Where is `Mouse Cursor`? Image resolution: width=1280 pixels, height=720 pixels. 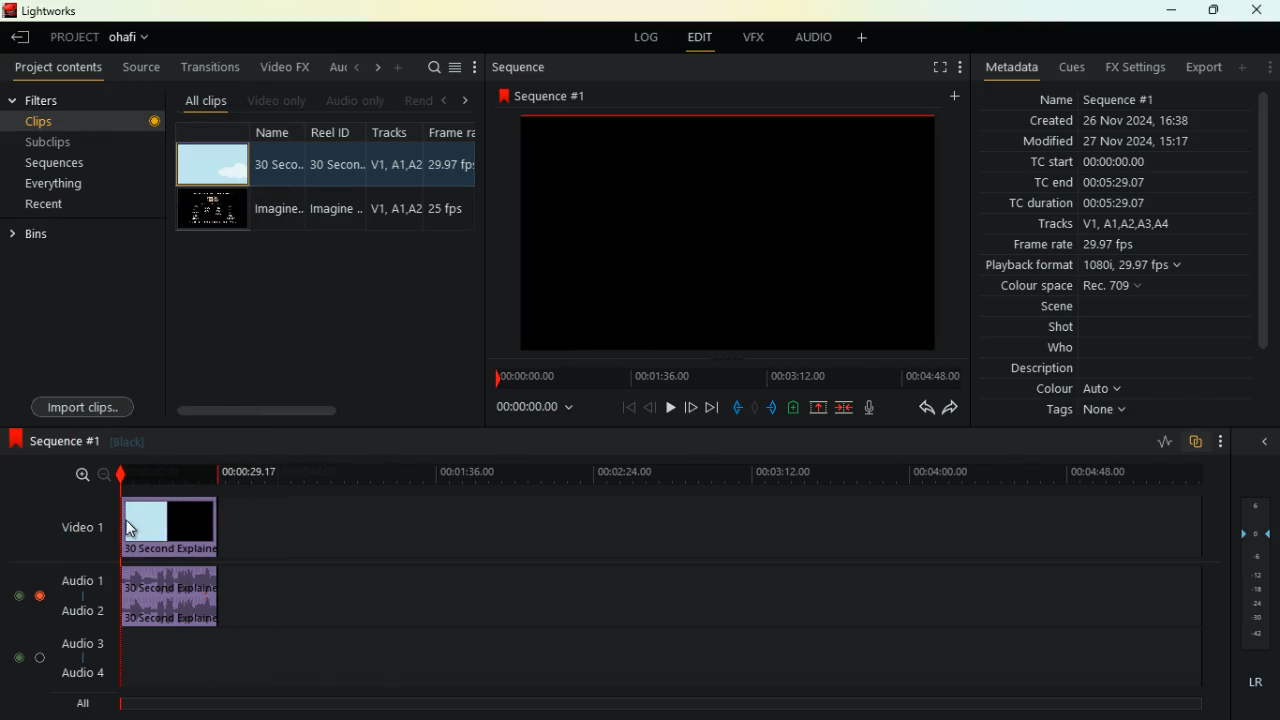
Mouse Cursor is located at coordinates (134, 529).